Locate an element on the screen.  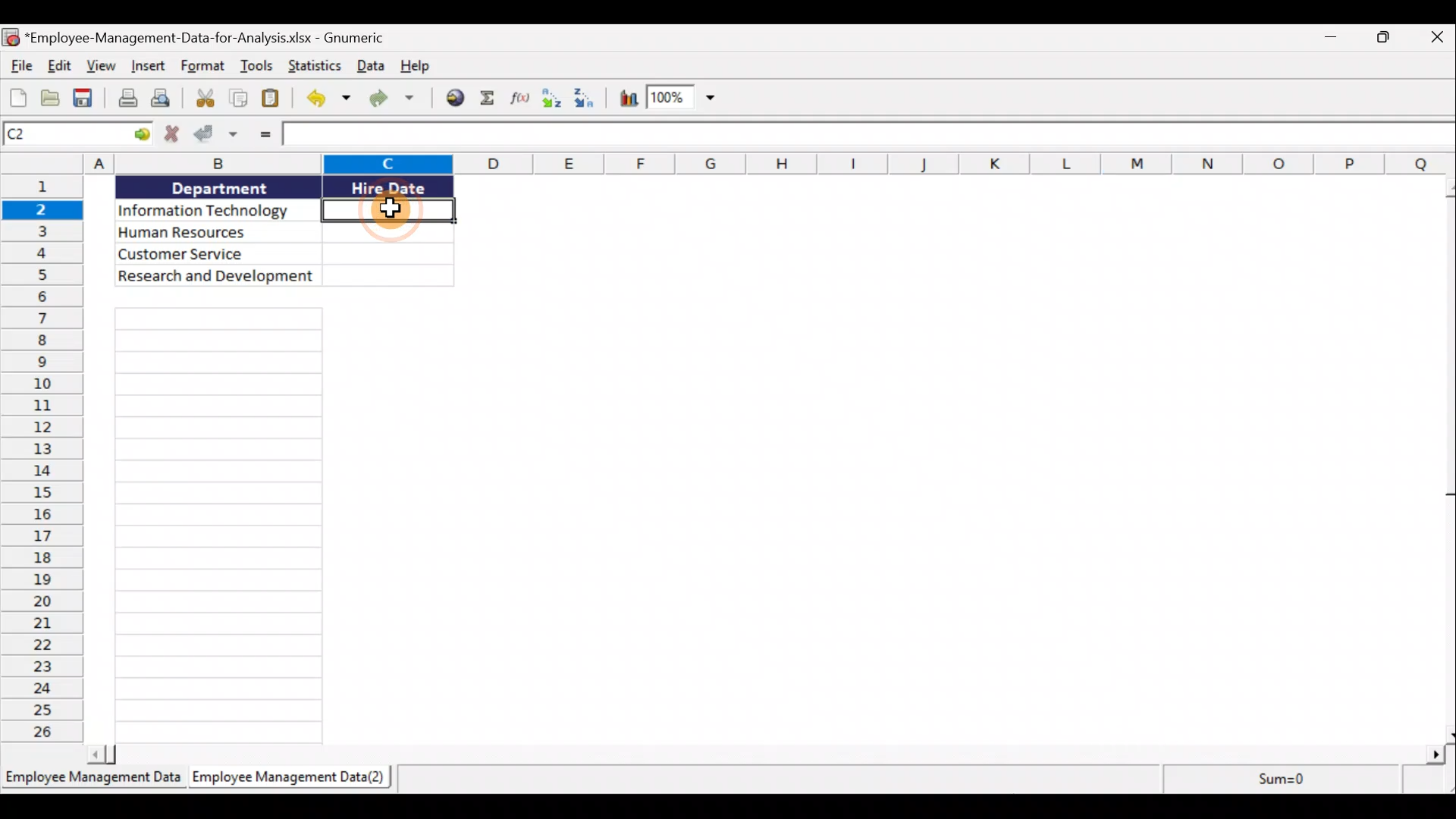
Enter formula is located at coordinates (259, 137).